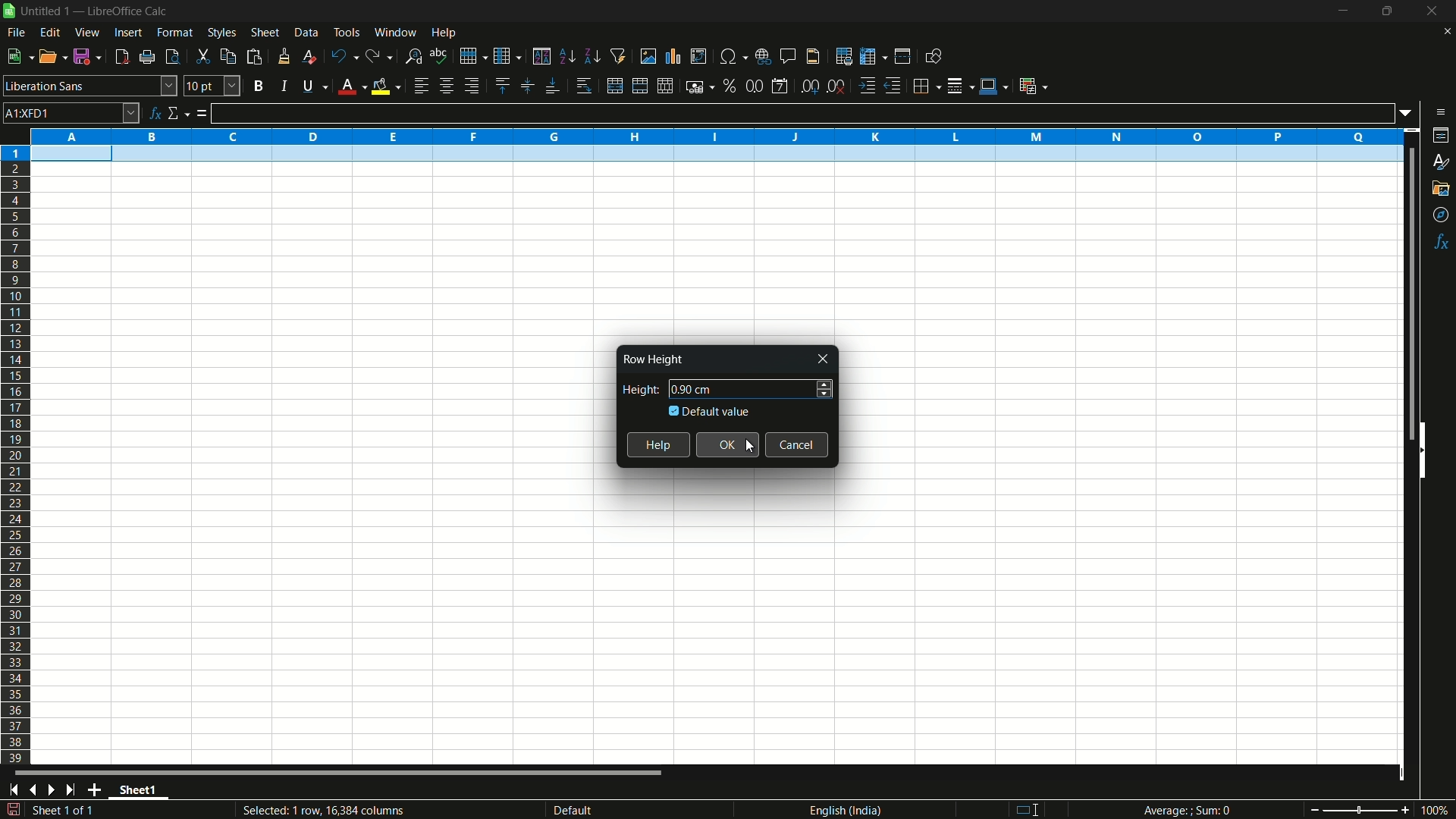 The height and width of the screenshot is (819, 1456). What do you see at coordinates (320, 809) in the screenshot?
I see `Selected: 1 row, 16,384 columns` at bounding box center [320, 809].